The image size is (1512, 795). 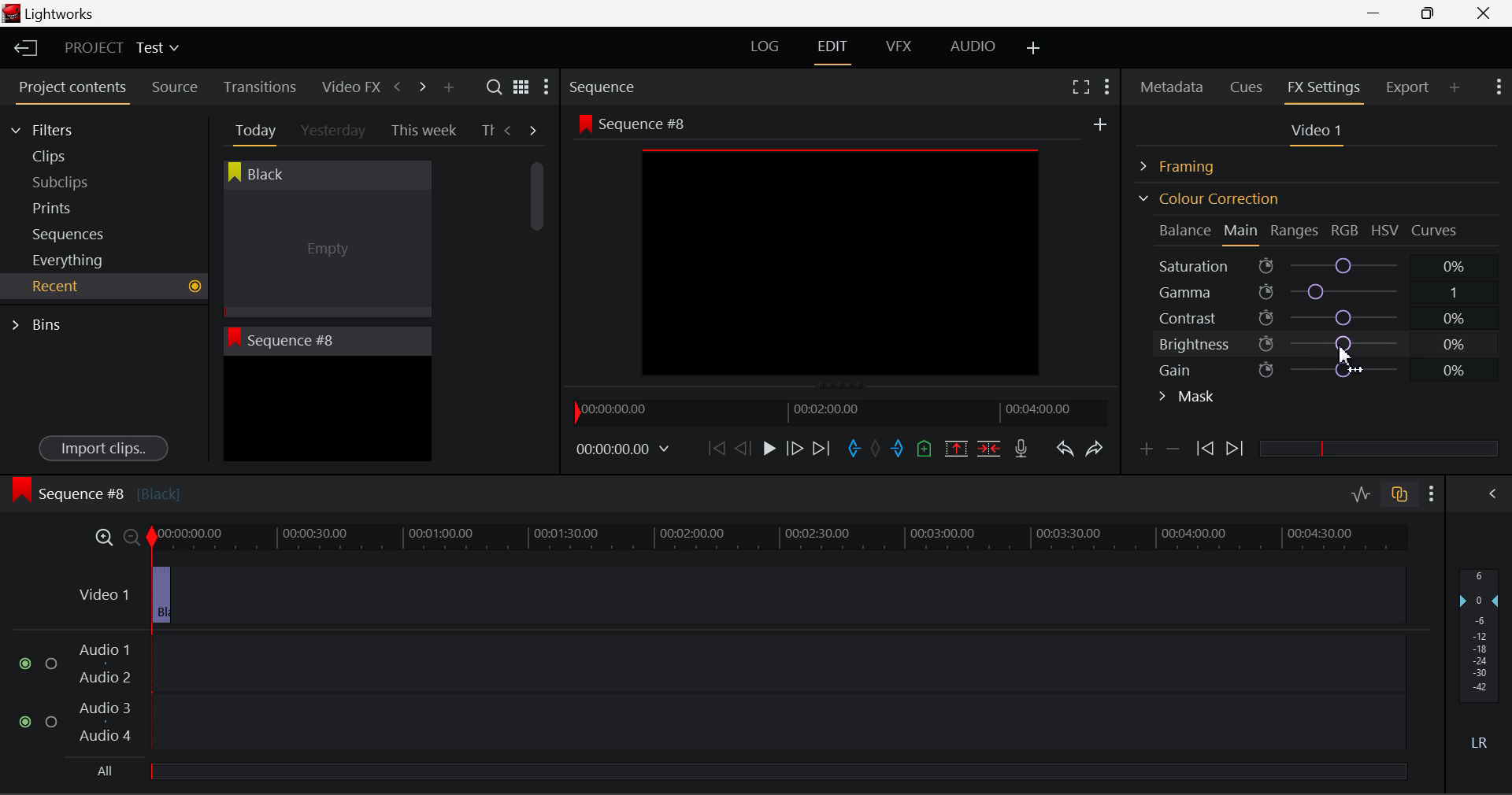 I want to click on Mark Cue, so click(x=923, y=449).